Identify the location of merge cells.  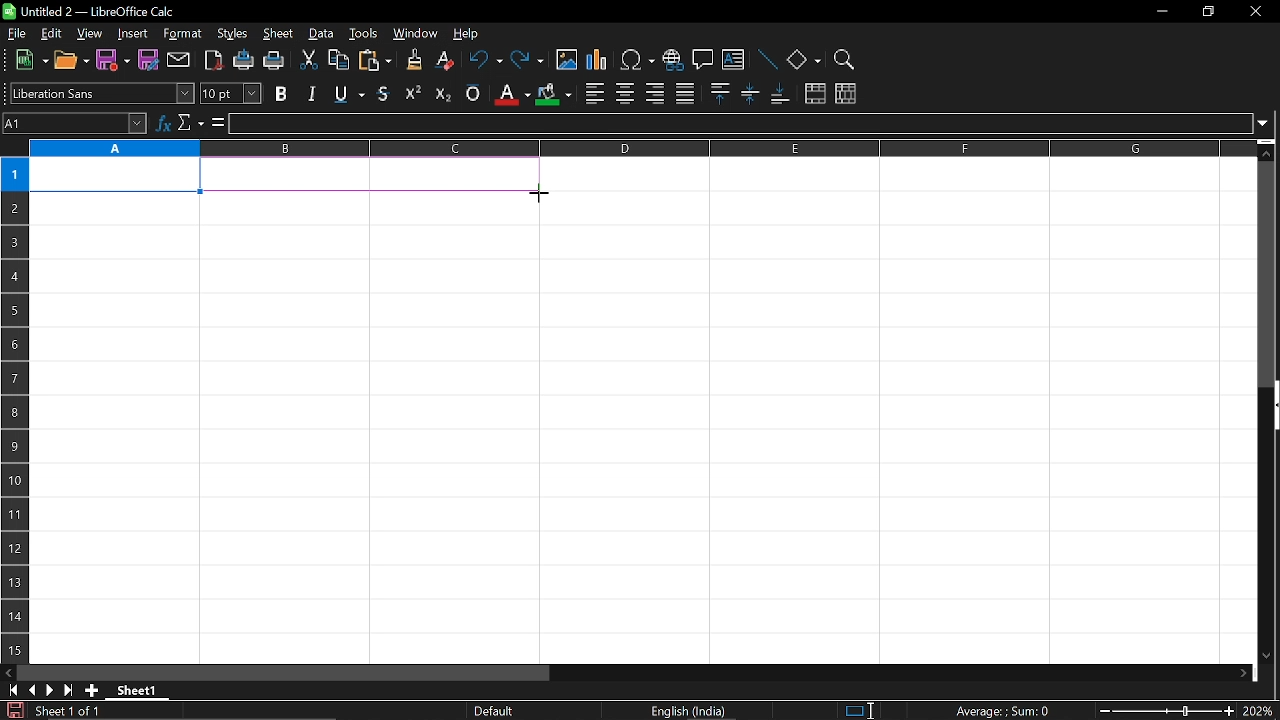
(815, 94).